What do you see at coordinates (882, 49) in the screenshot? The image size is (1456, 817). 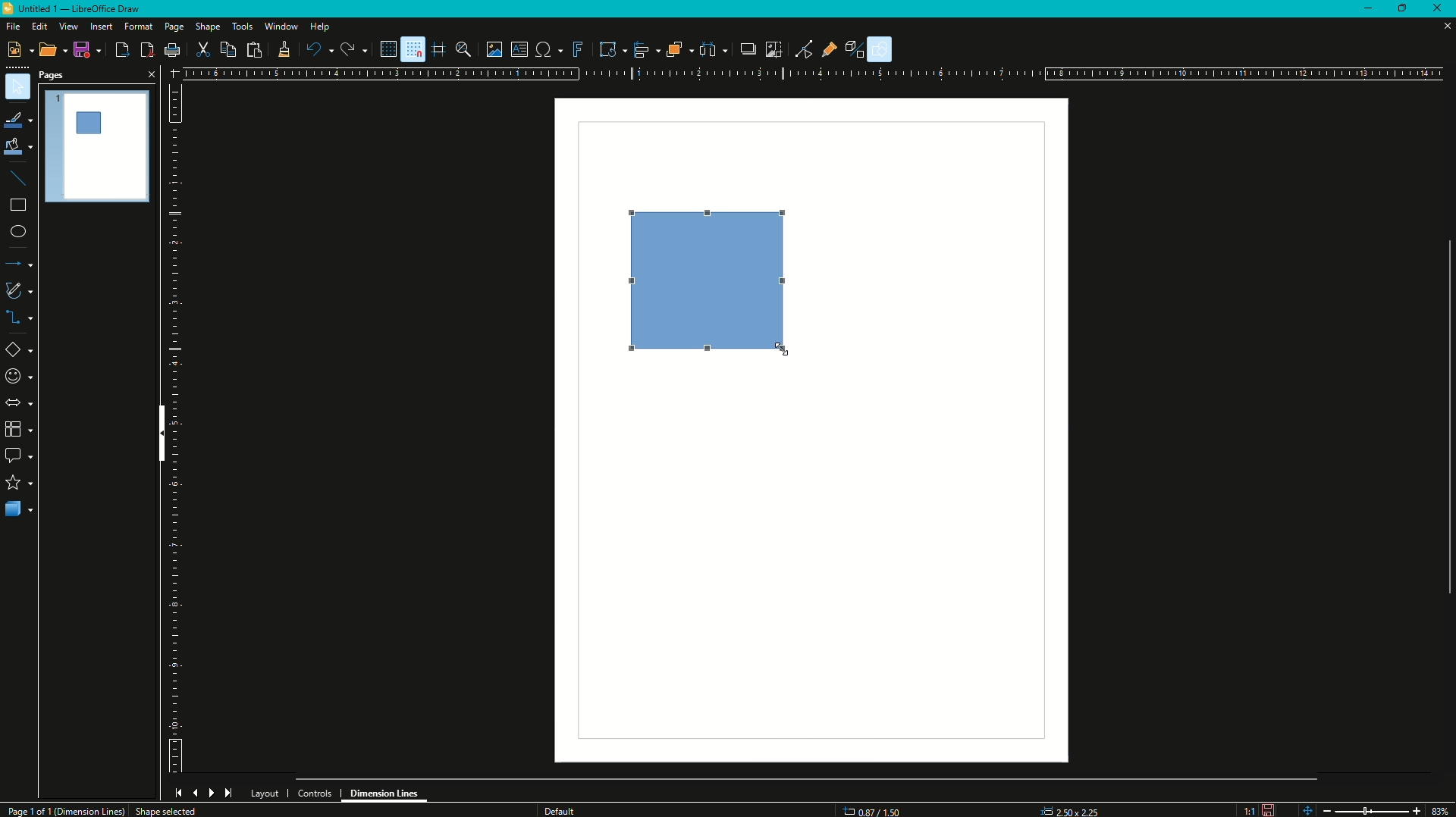 I see `Show Draw Functions` at bounding box center [882, 49].